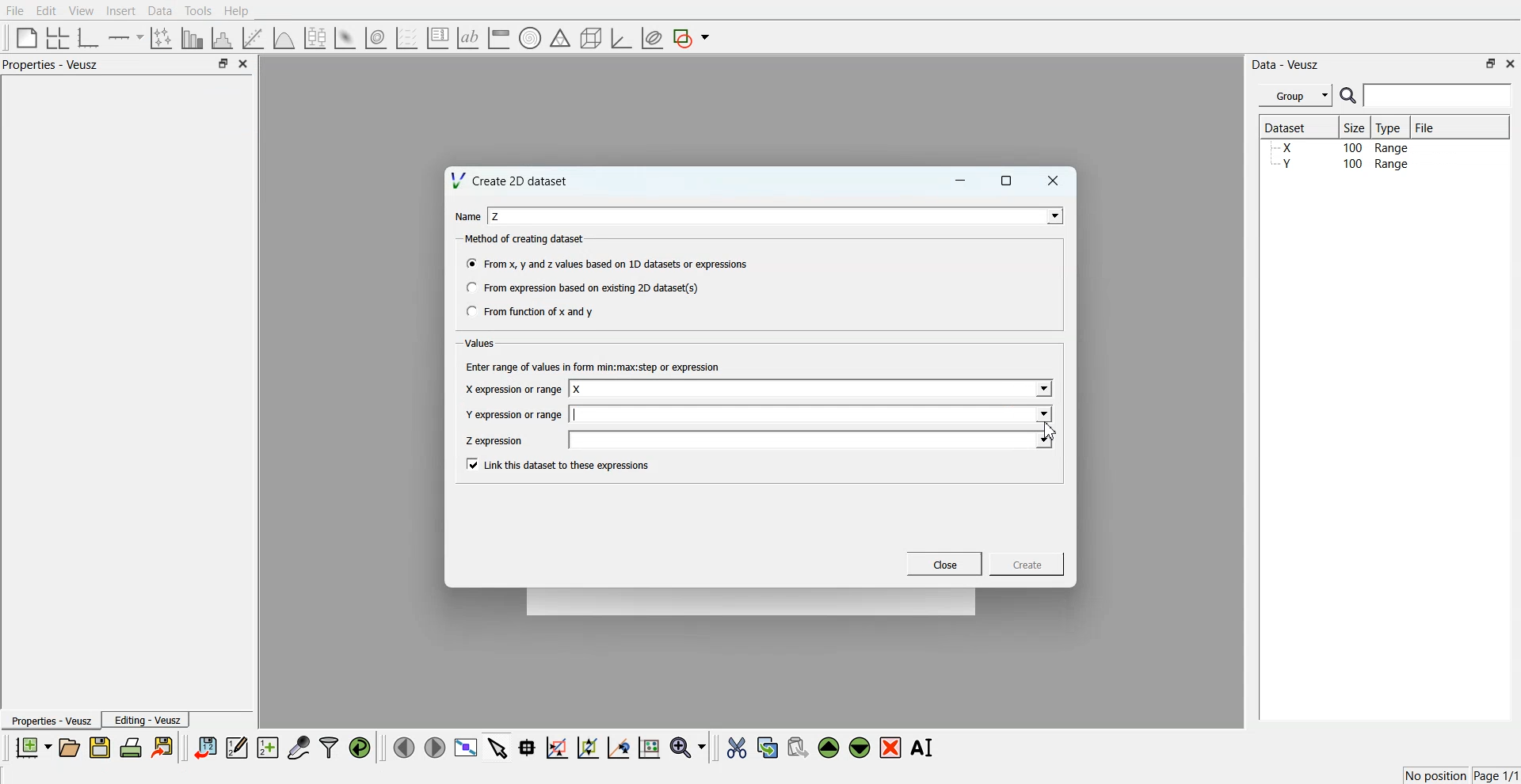 The image size is (1521, 784). What do you see at coordinates (578, 390) in the screenshot?
I see `X` at bounding box center [578, 390].